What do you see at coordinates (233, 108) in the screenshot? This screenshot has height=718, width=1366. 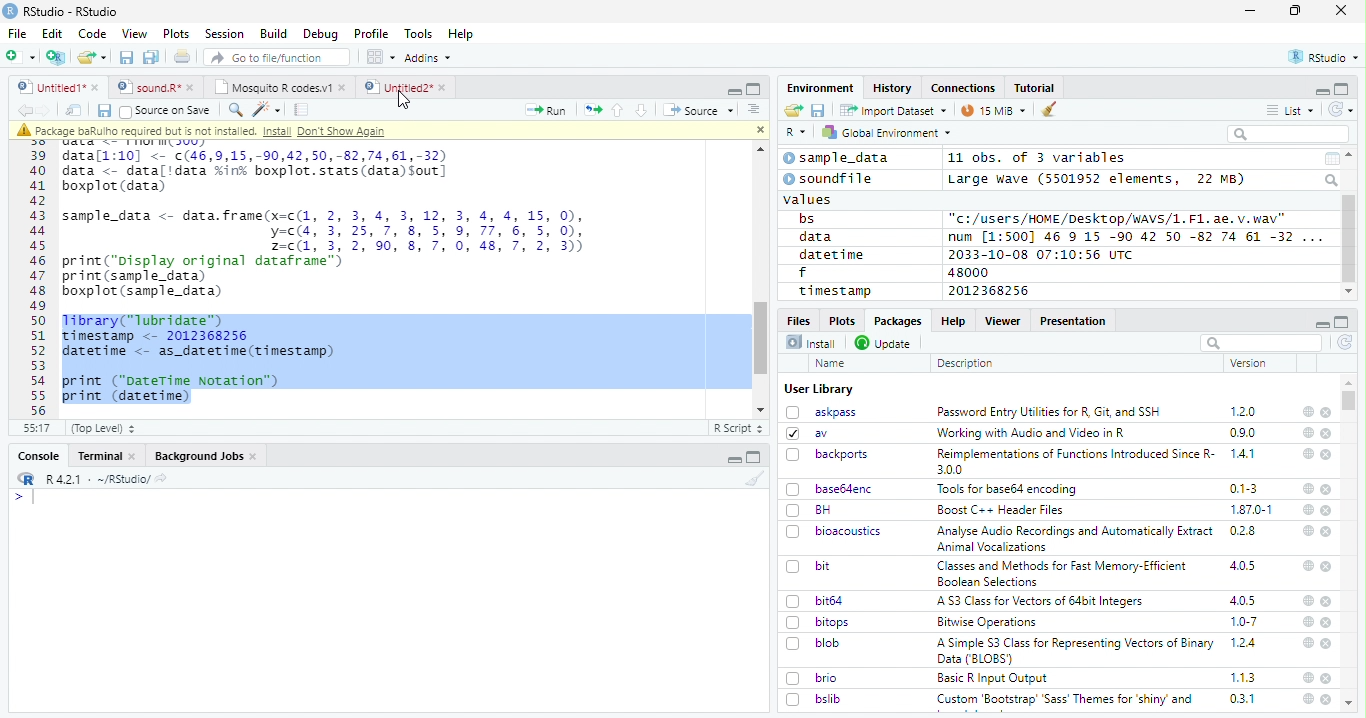 I see `find` at bounding box center [233, 108].